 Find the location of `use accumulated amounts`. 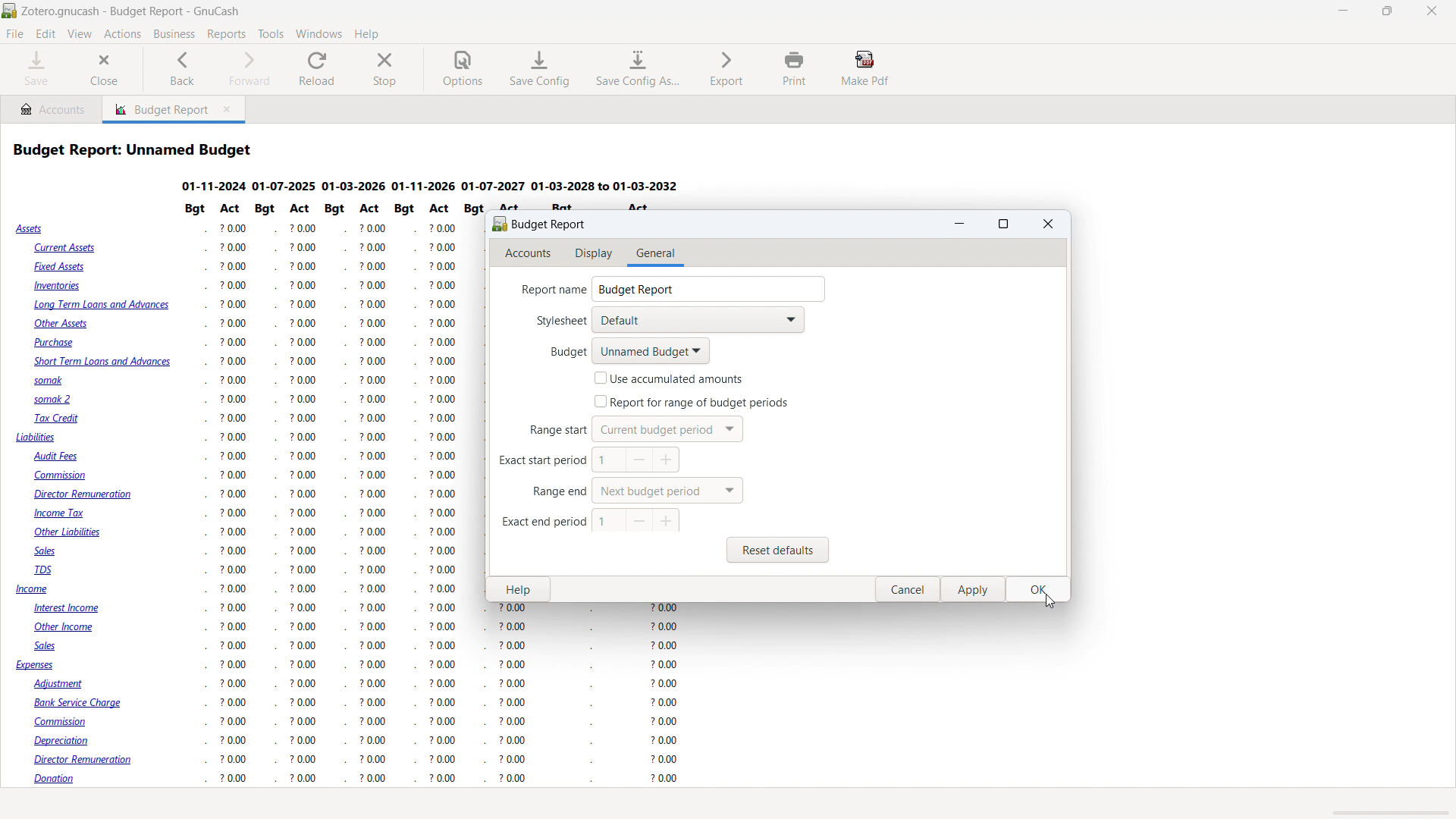

use accumulated amounts is located at coordinates (669, 378).